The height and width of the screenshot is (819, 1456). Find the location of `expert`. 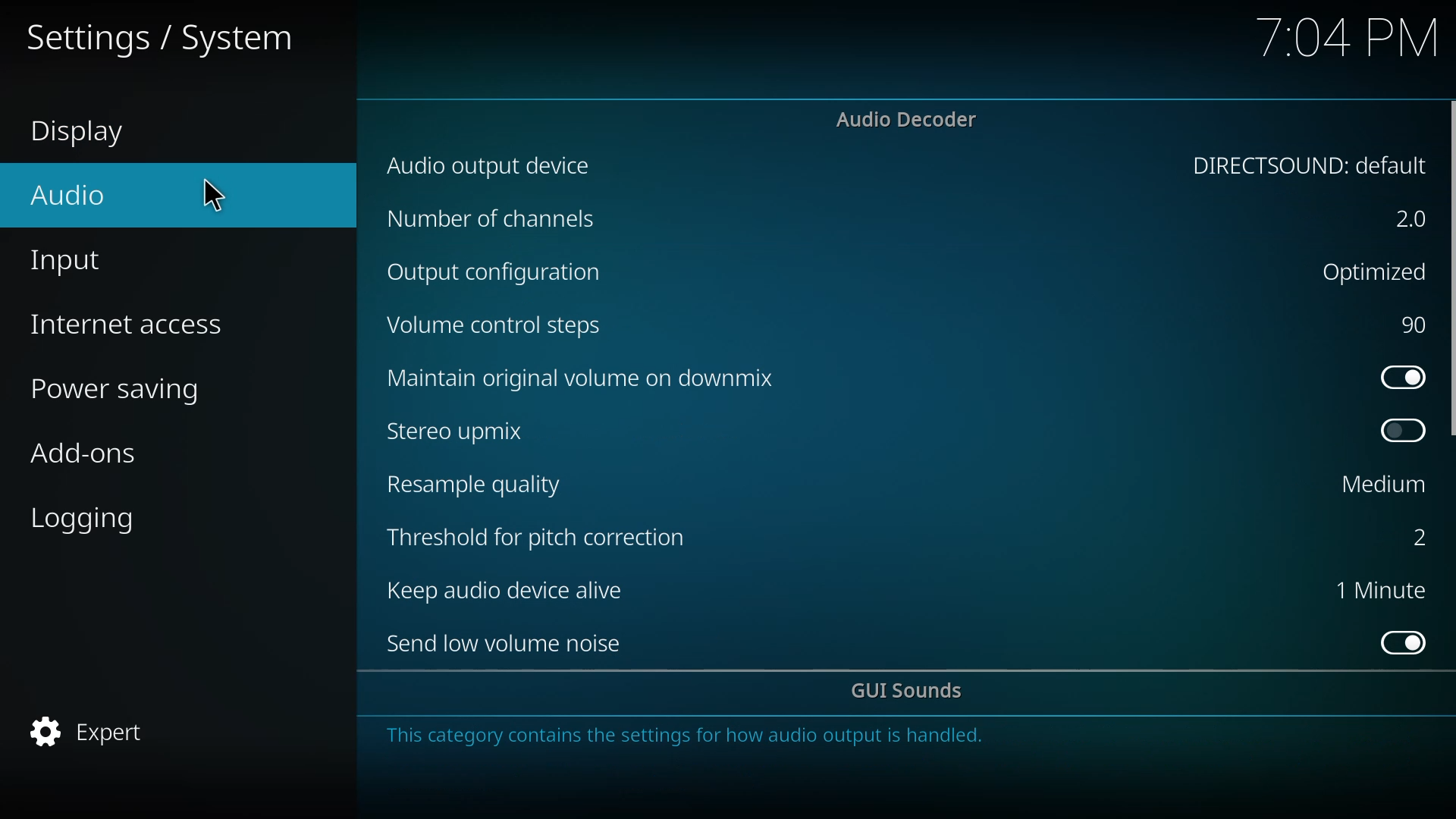

expert is located at coordinates (92, 731).